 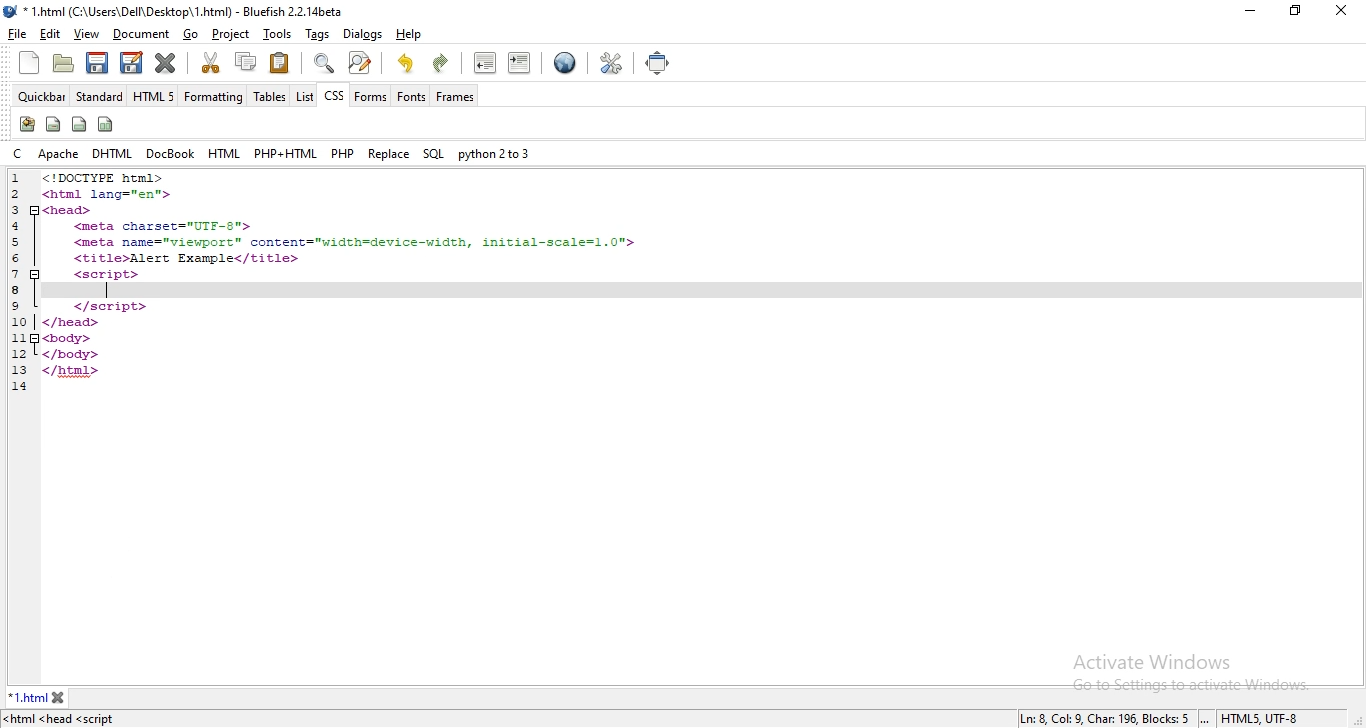 I want to click on 12, so click(x=22, y=354).